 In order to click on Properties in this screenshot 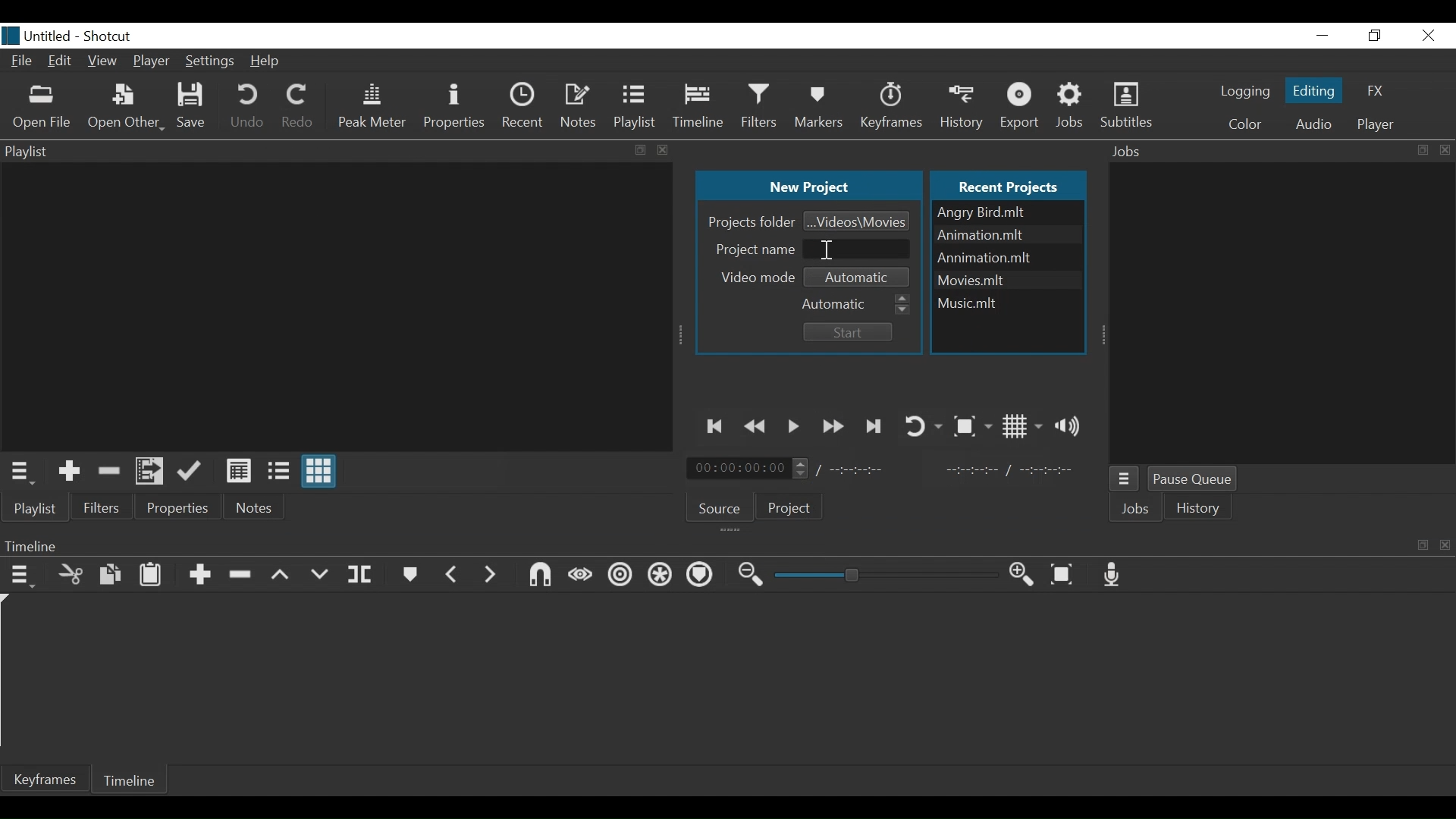, I will do `click(179, 507)`.